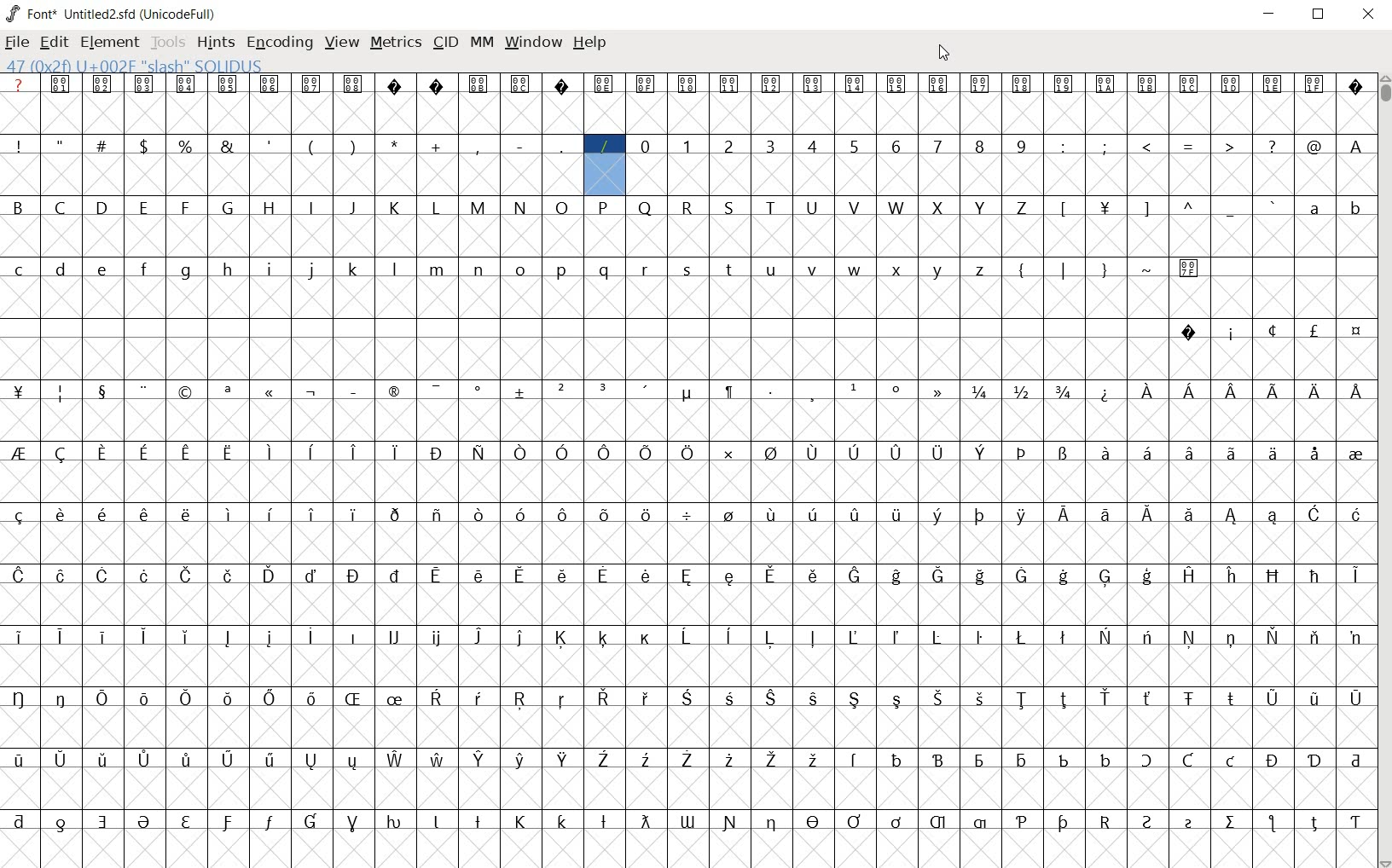 The image size is (1392, 868). Describe the element at coordinates (1314, 83) in the screenshot. I see `glyph` at that location.